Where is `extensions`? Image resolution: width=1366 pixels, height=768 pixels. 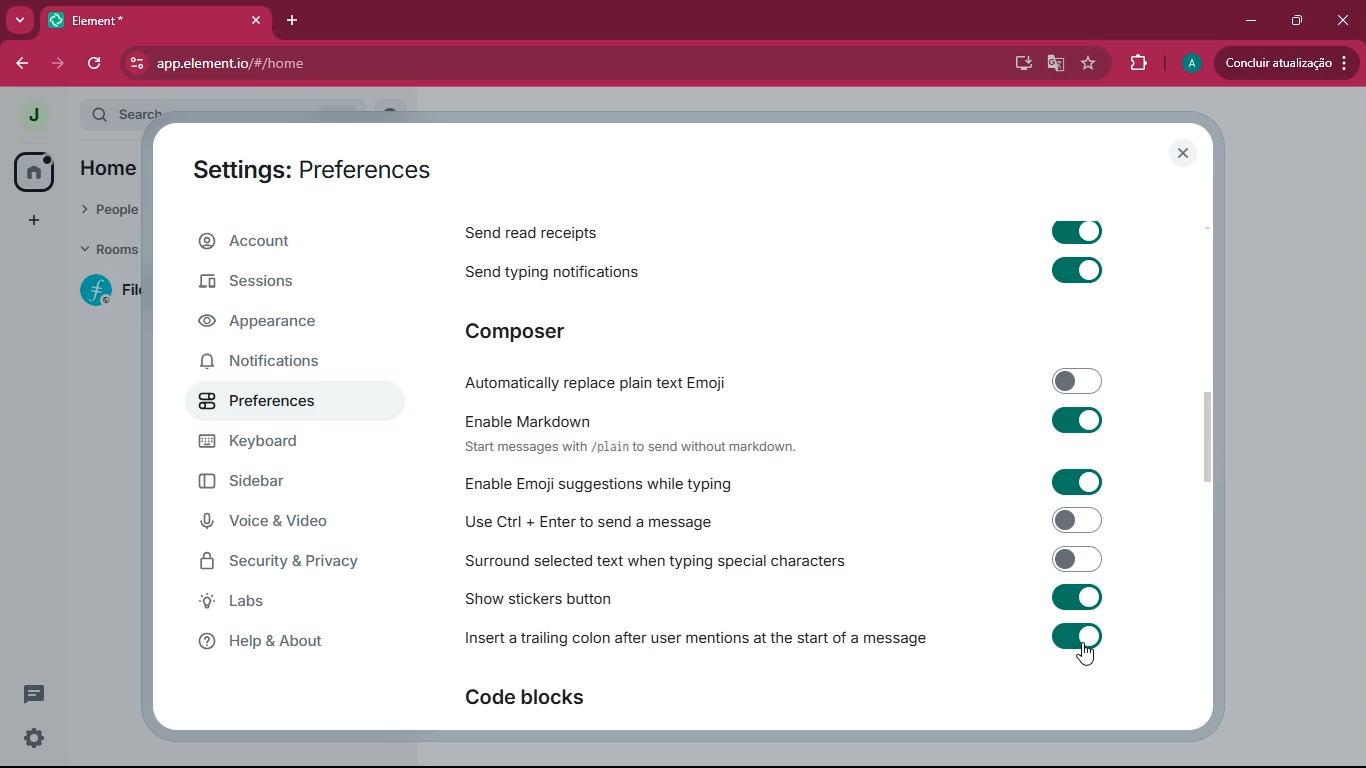
extensions is located at coordinates (1136, 62).